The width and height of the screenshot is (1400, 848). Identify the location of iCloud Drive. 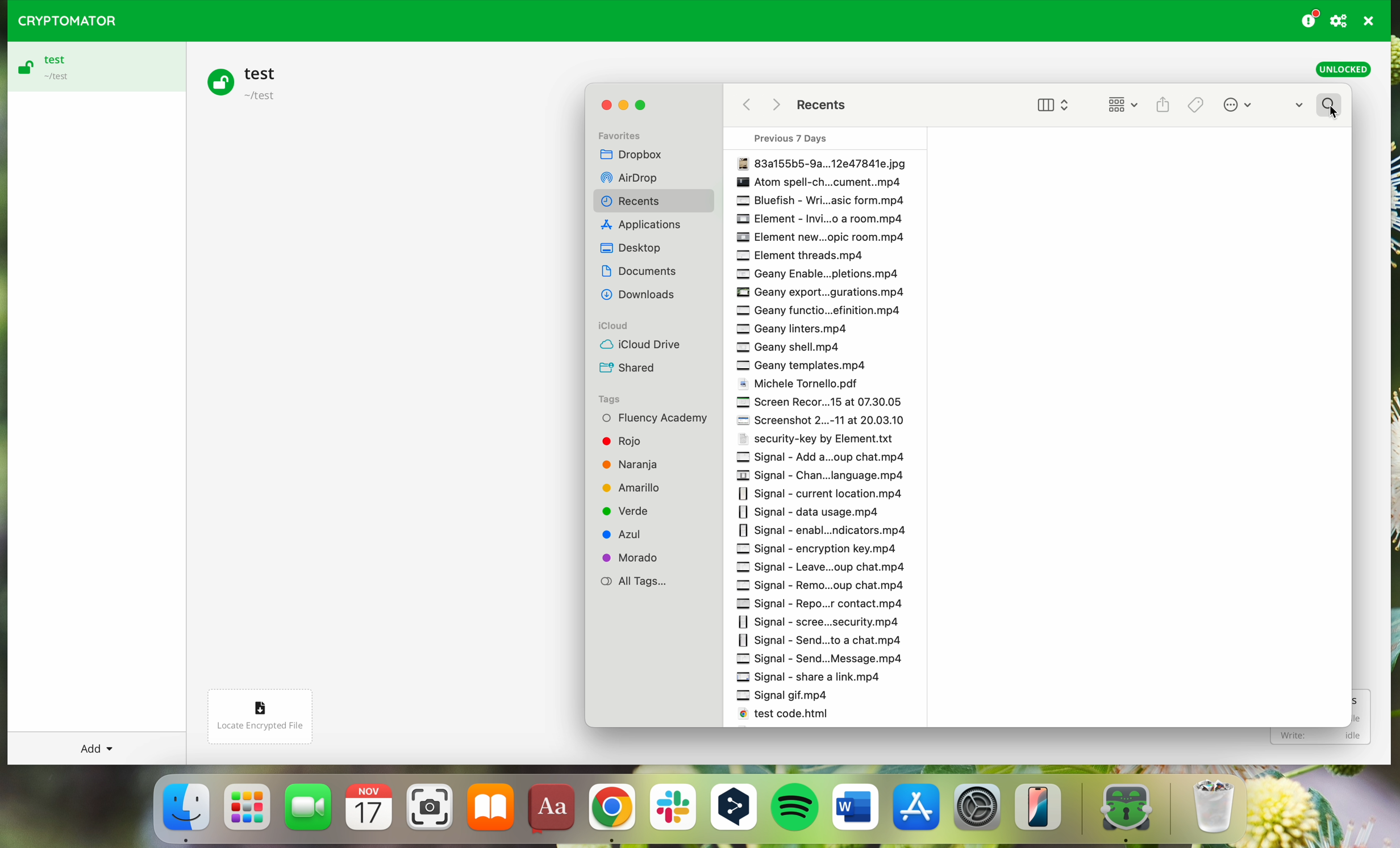
(640, 345).